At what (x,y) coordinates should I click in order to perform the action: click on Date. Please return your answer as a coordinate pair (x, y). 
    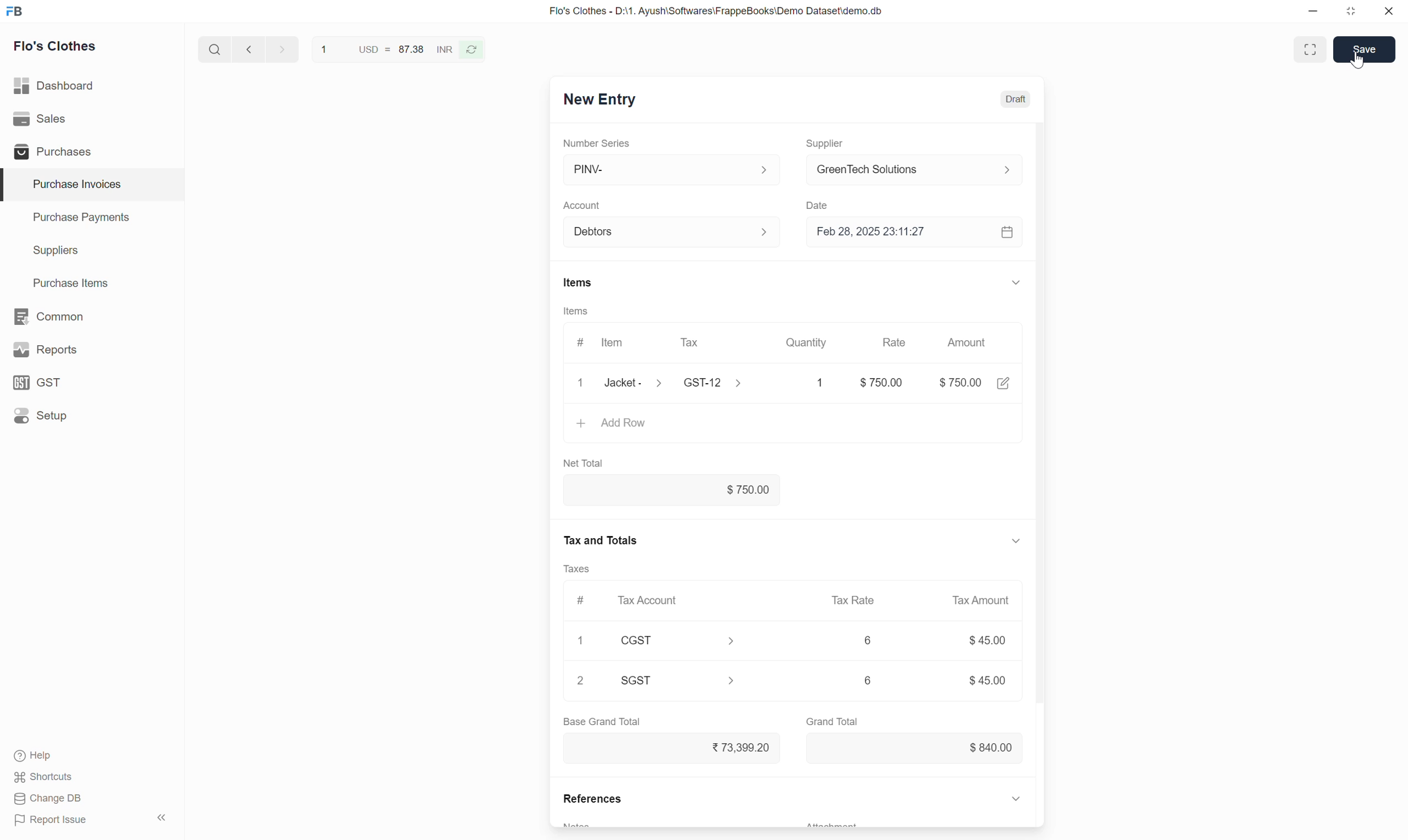
    Looking at the image, I should click on (820, 206).